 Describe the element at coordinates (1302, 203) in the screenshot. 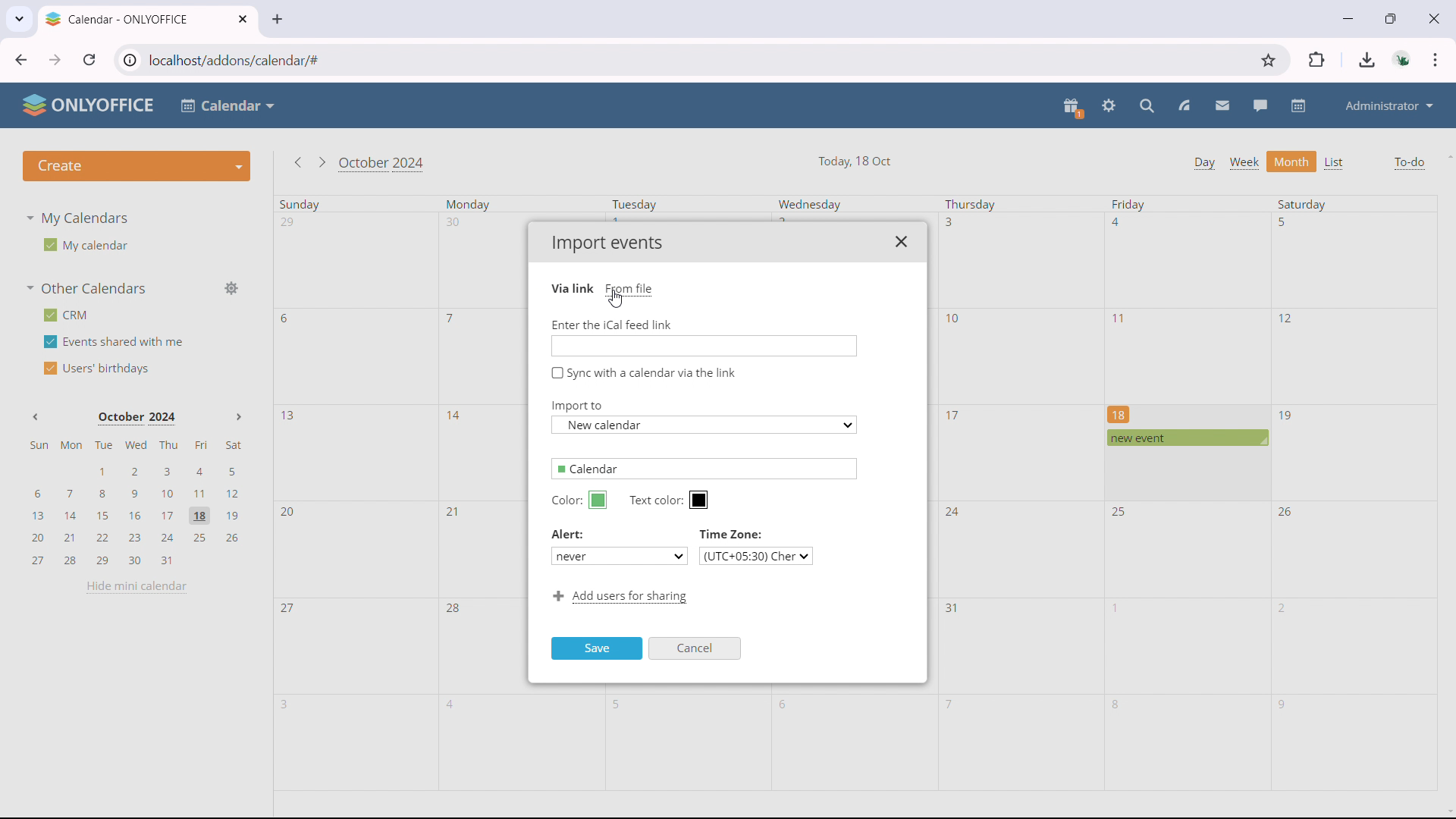

I see `Saturday` at that location.